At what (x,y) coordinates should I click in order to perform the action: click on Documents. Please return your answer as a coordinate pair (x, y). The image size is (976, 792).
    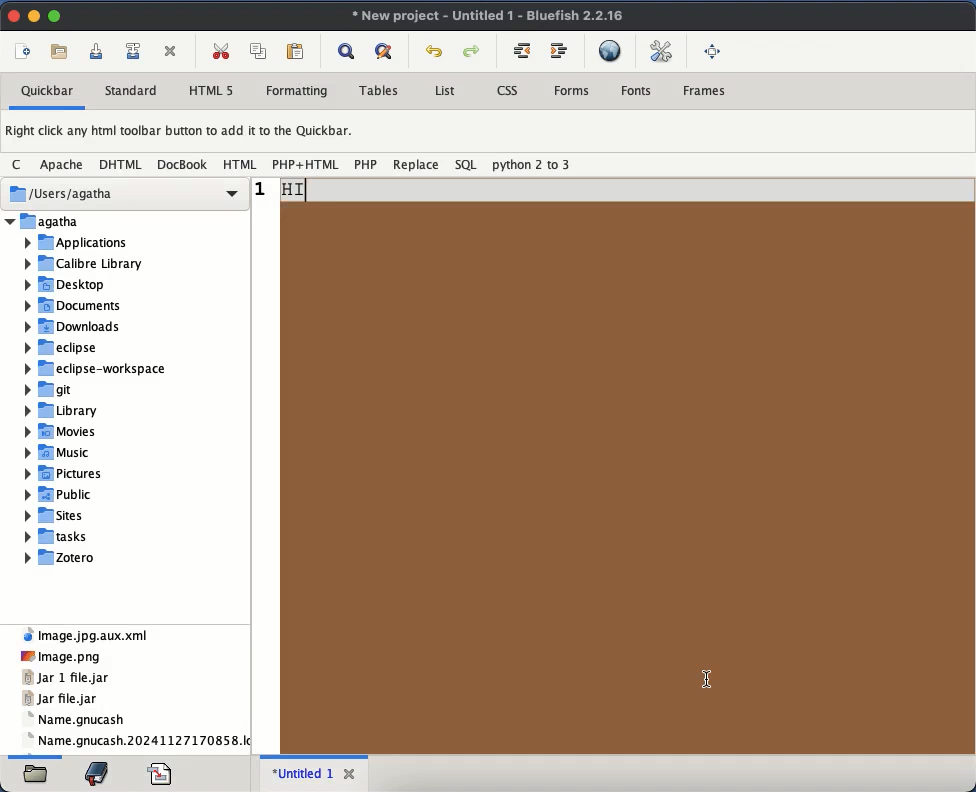
    Looking at the image, I should click on (74, 305).